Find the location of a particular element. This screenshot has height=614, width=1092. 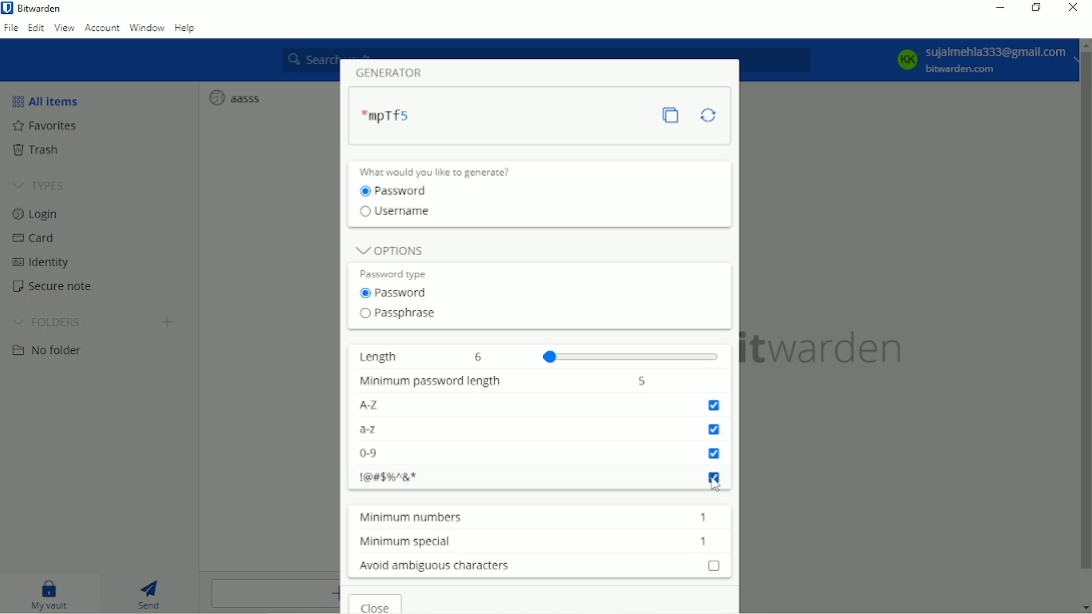

Trash is located at coordinates (44, 151).